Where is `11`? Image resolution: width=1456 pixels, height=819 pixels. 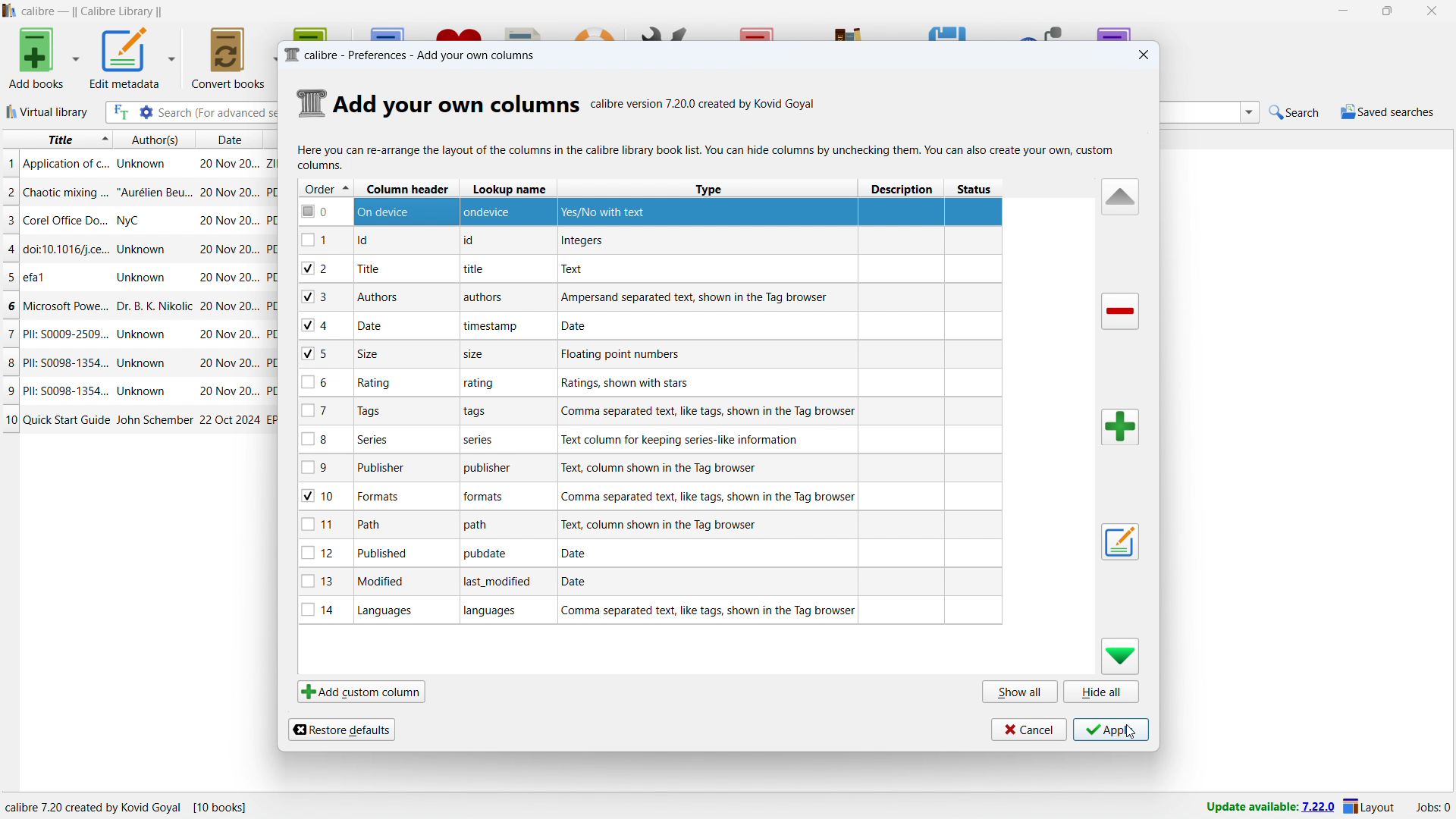 11 is located at coordinates (325, 524).